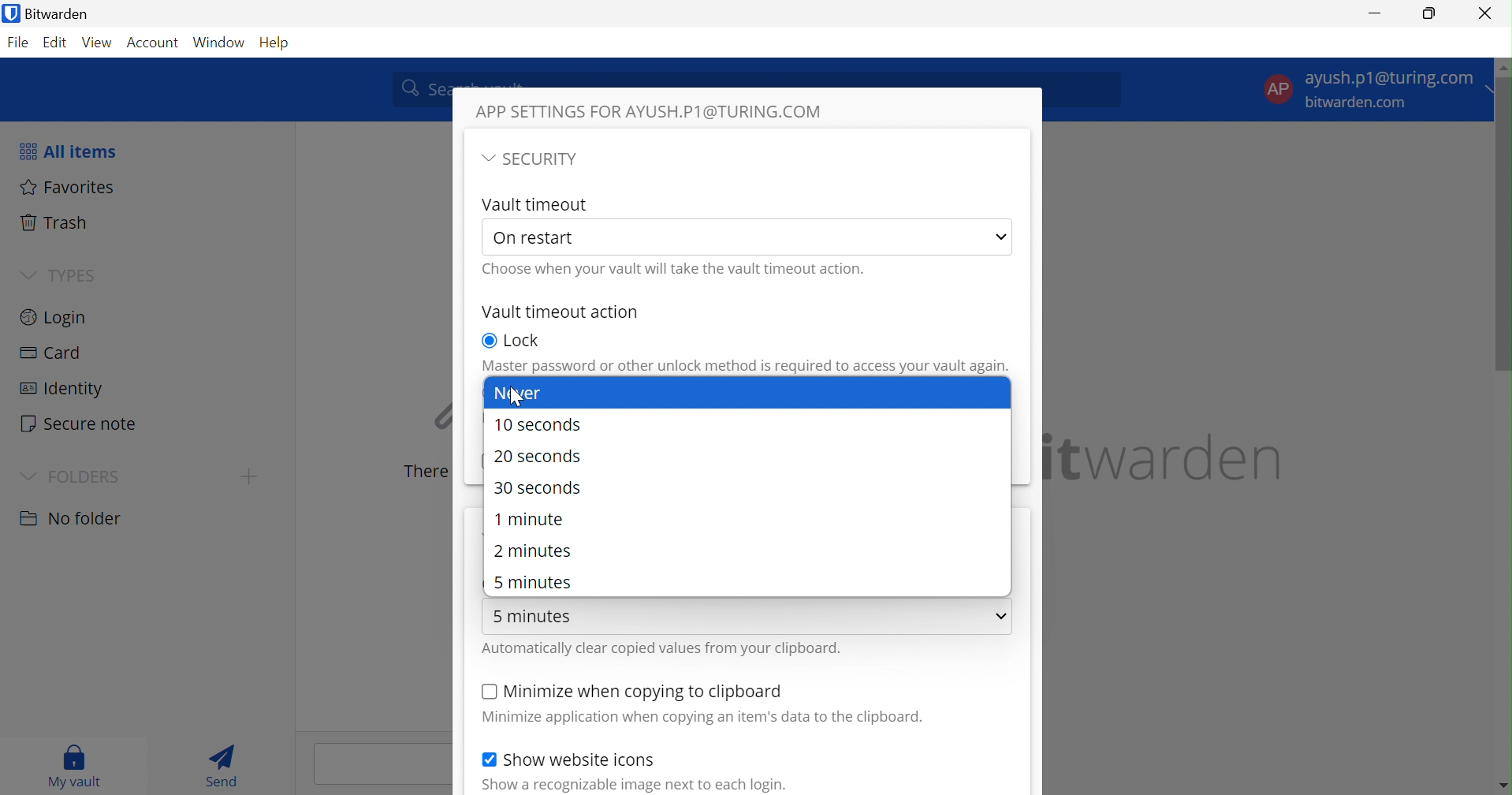  Describe the element at coordinates (486, 760) in the screenshot. I see `Checkbox` at that location.